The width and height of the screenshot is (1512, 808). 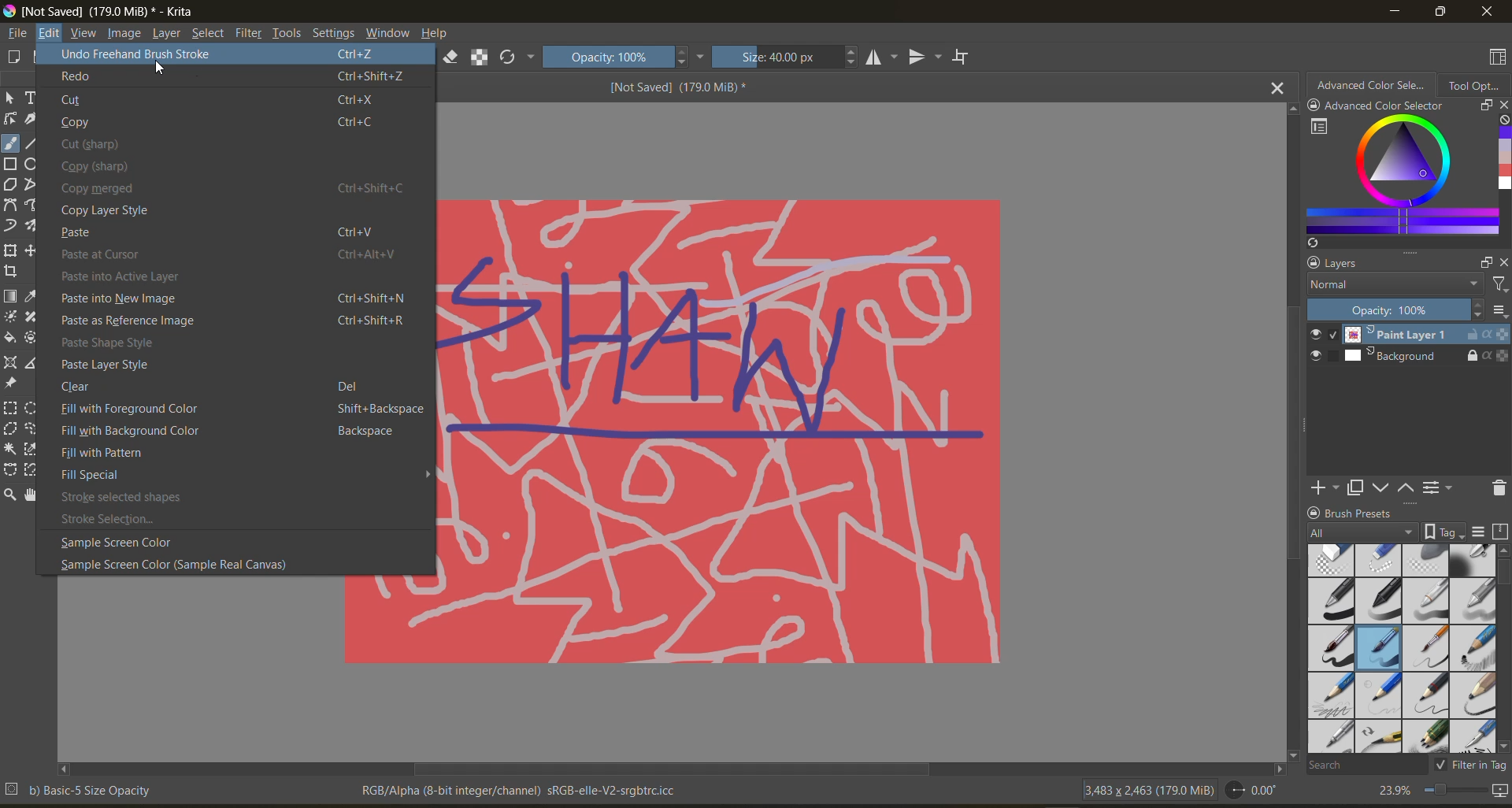 I want to click on duplicate, so click(x=1356, y=487).